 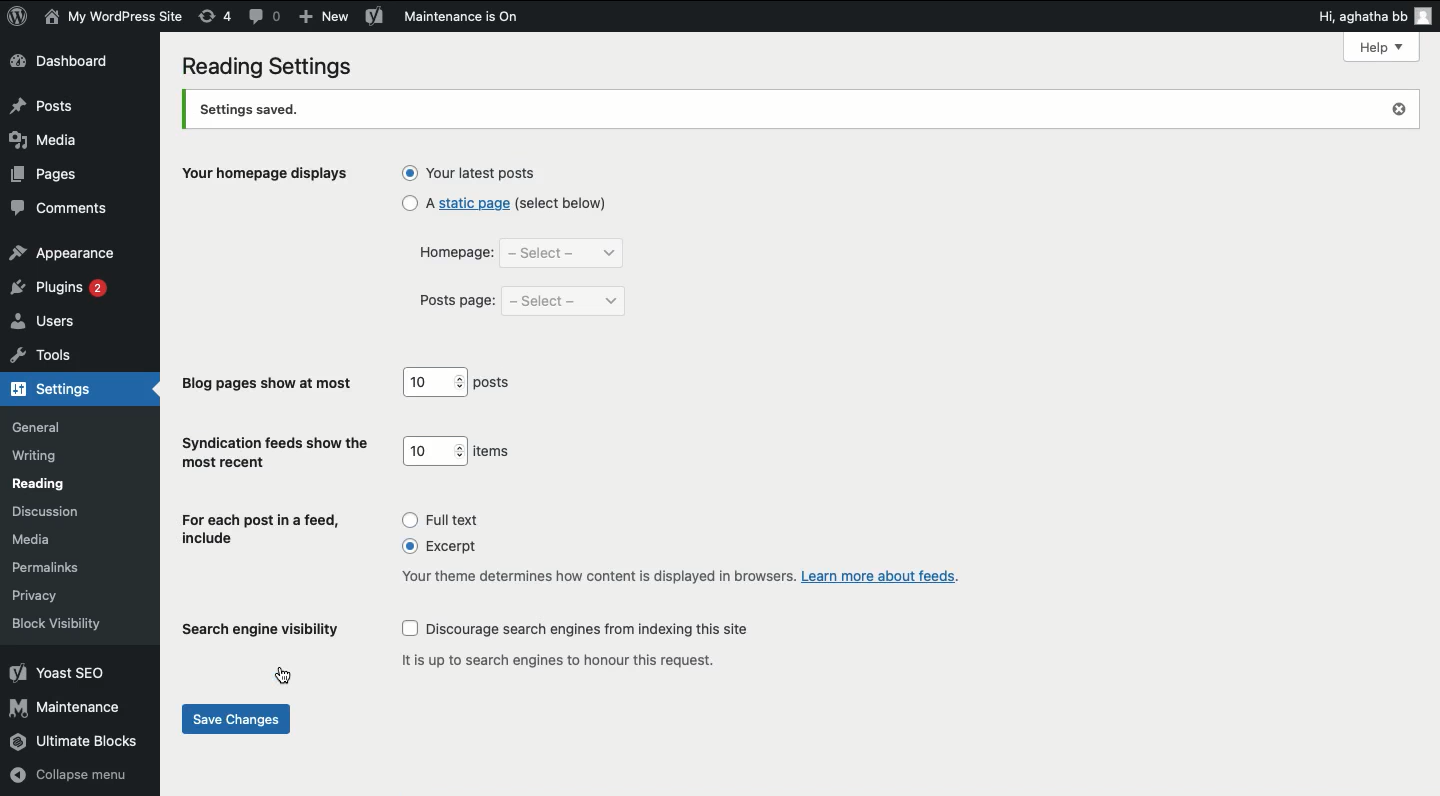 I want to click on search engine visibility , so click(x=270, y=629).